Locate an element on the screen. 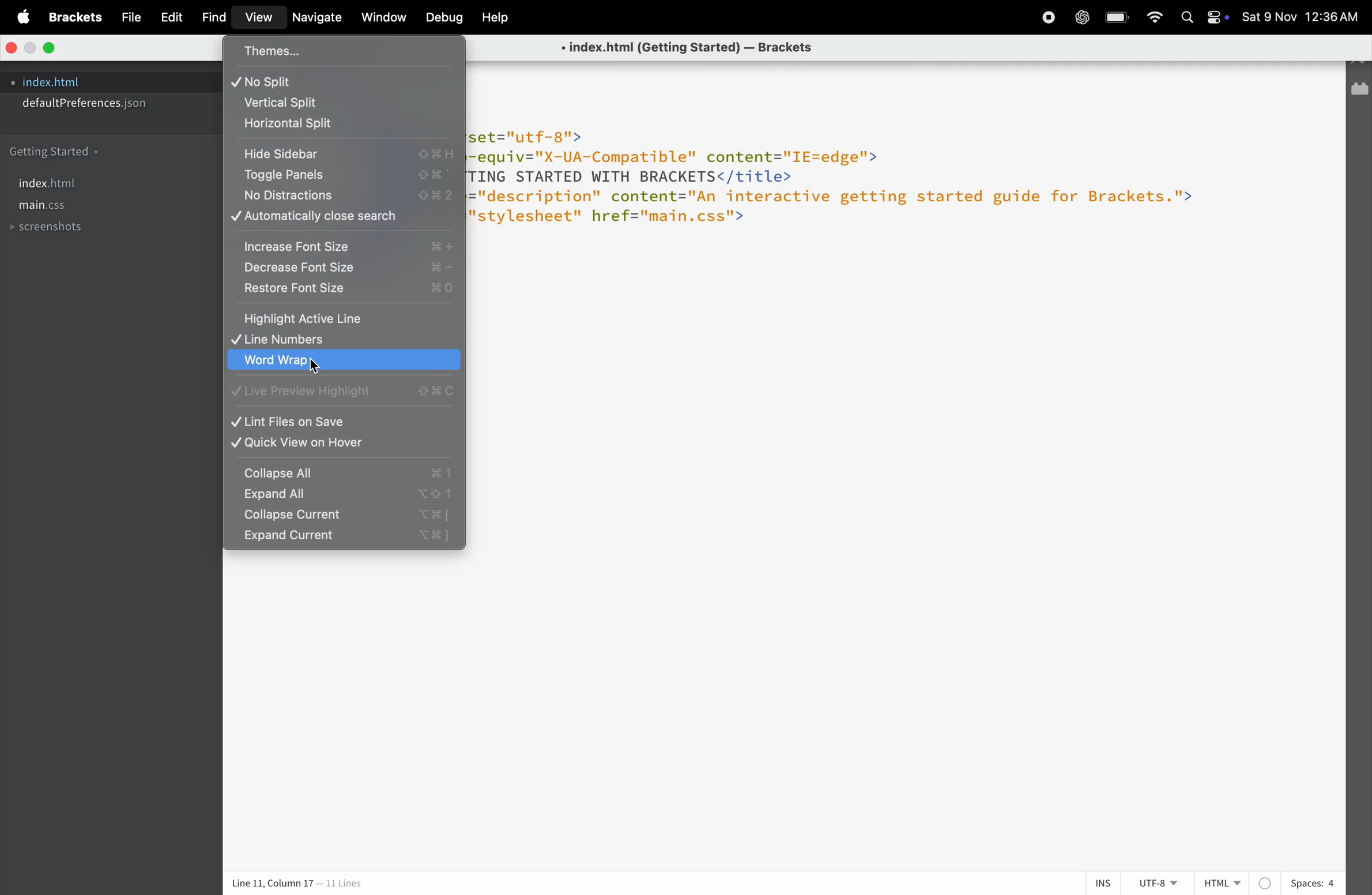  no distractions is located at coordinates (340, 197).